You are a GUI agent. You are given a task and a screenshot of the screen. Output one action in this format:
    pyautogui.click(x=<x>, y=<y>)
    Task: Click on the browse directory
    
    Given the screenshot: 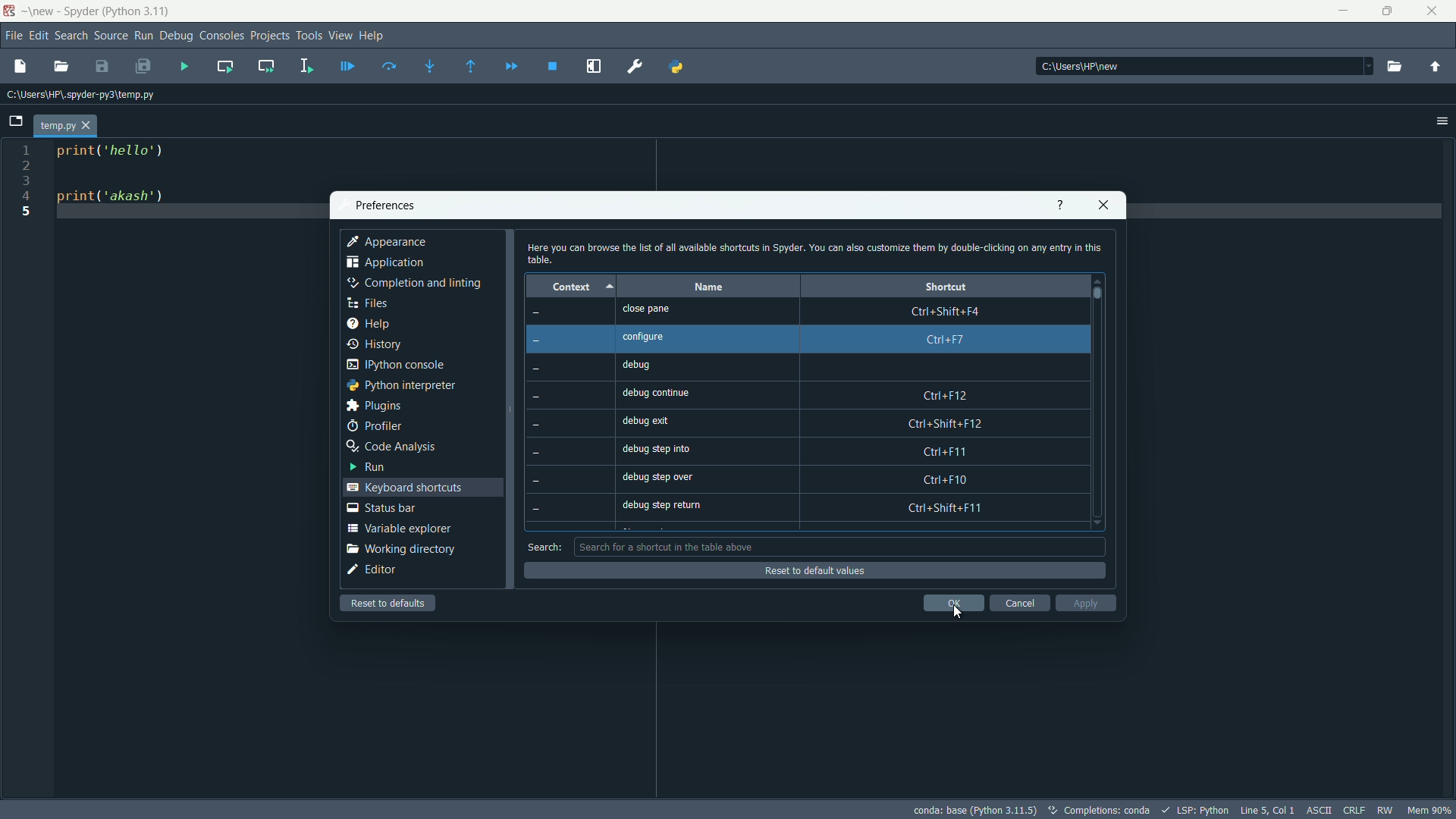 What is the action you would take?
    pyautogui.click(x=1396, y=67)
    